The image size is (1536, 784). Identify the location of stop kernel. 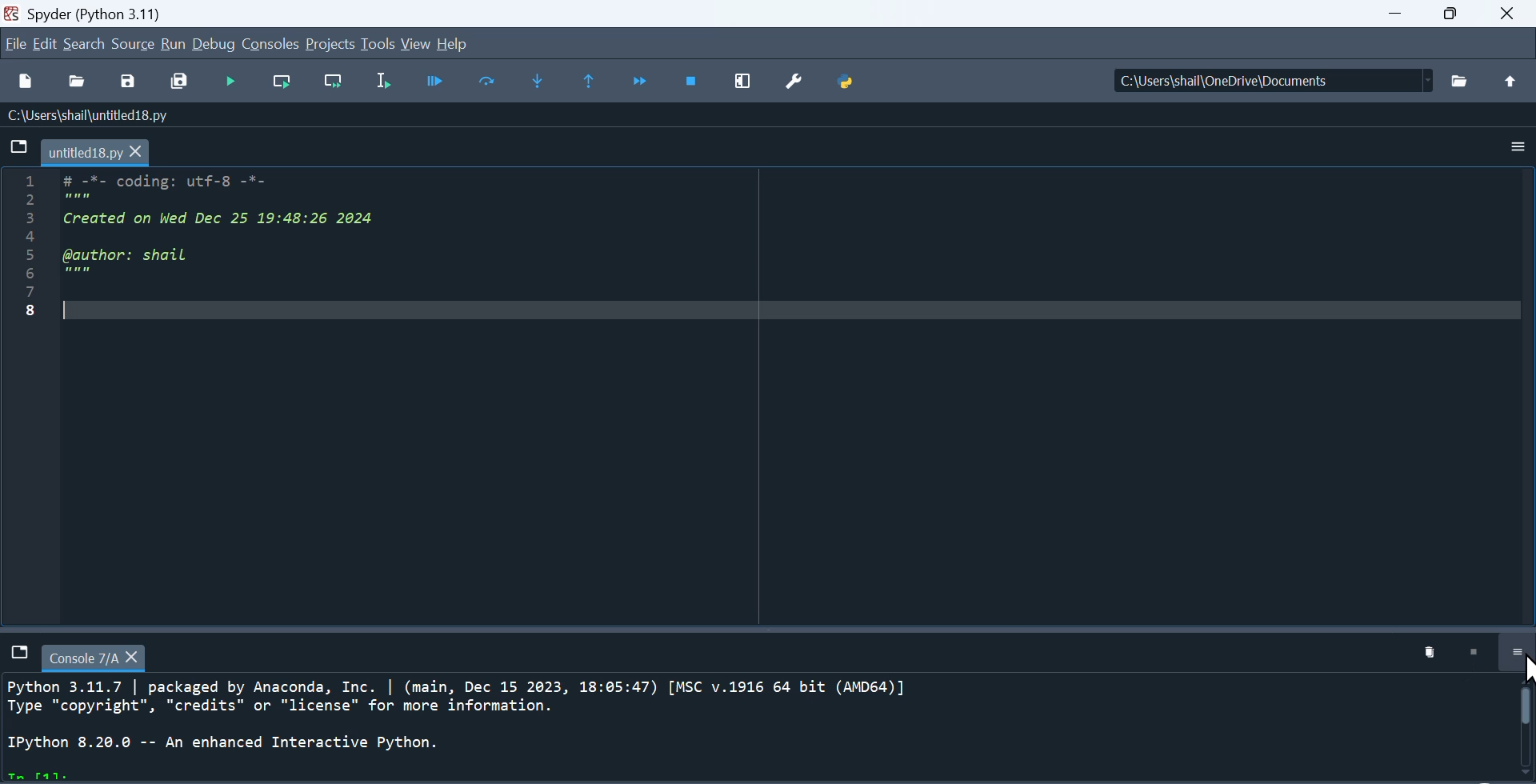
(1478, 654).